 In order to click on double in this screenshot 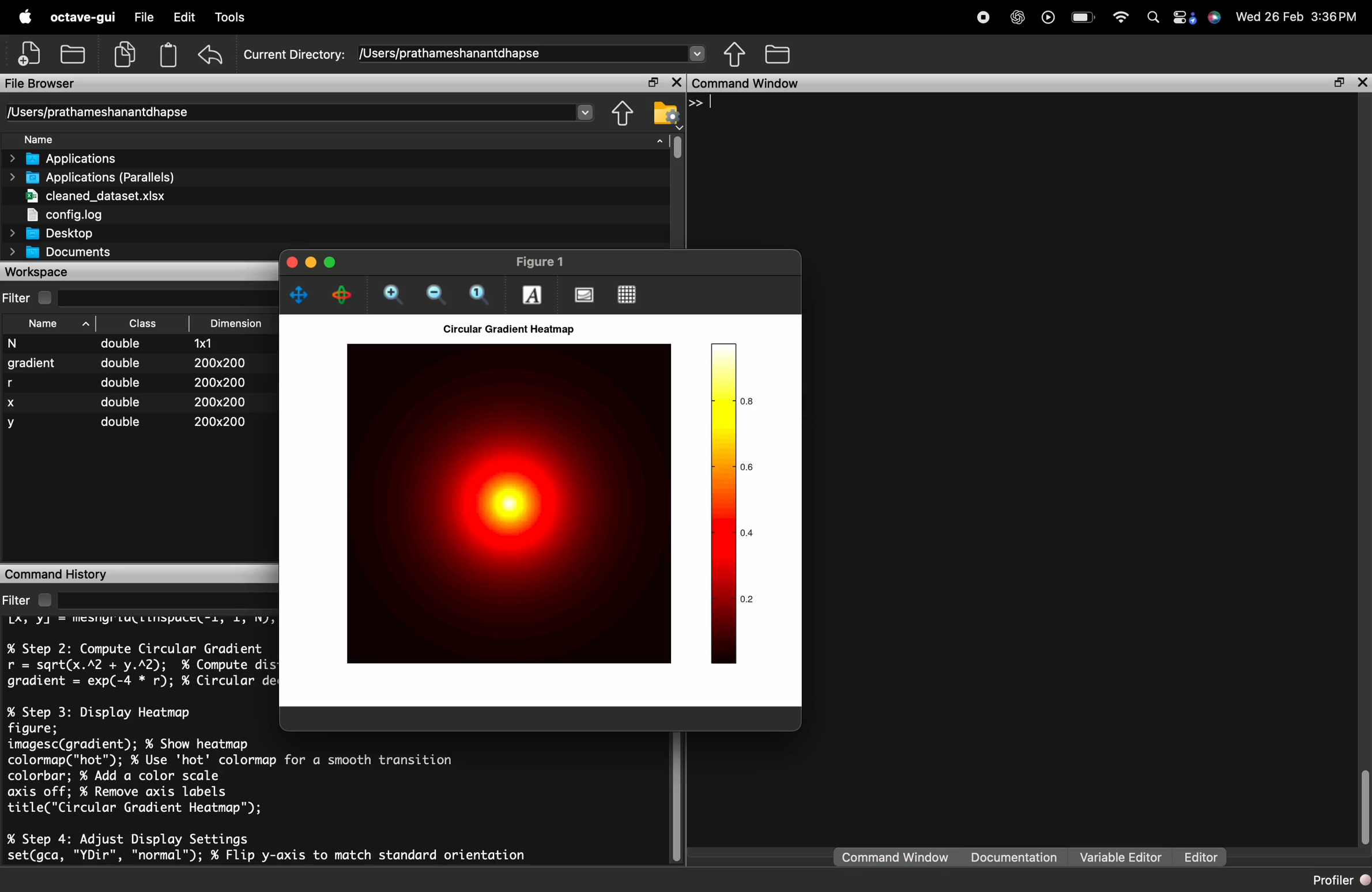, I will do `click(120, 421)`.